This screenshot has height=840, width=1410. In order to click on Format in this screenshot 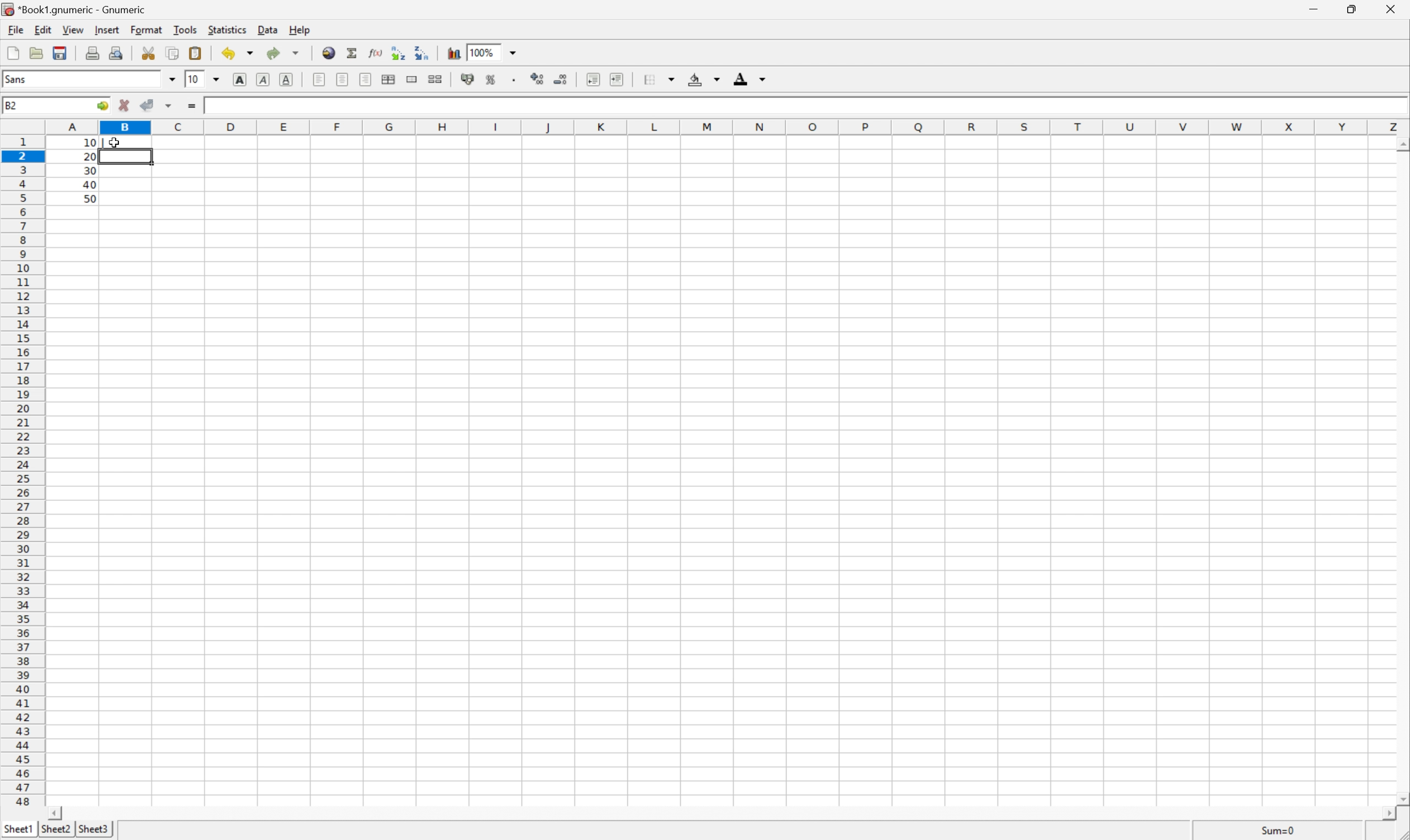, I will do `click(147, 29)`.